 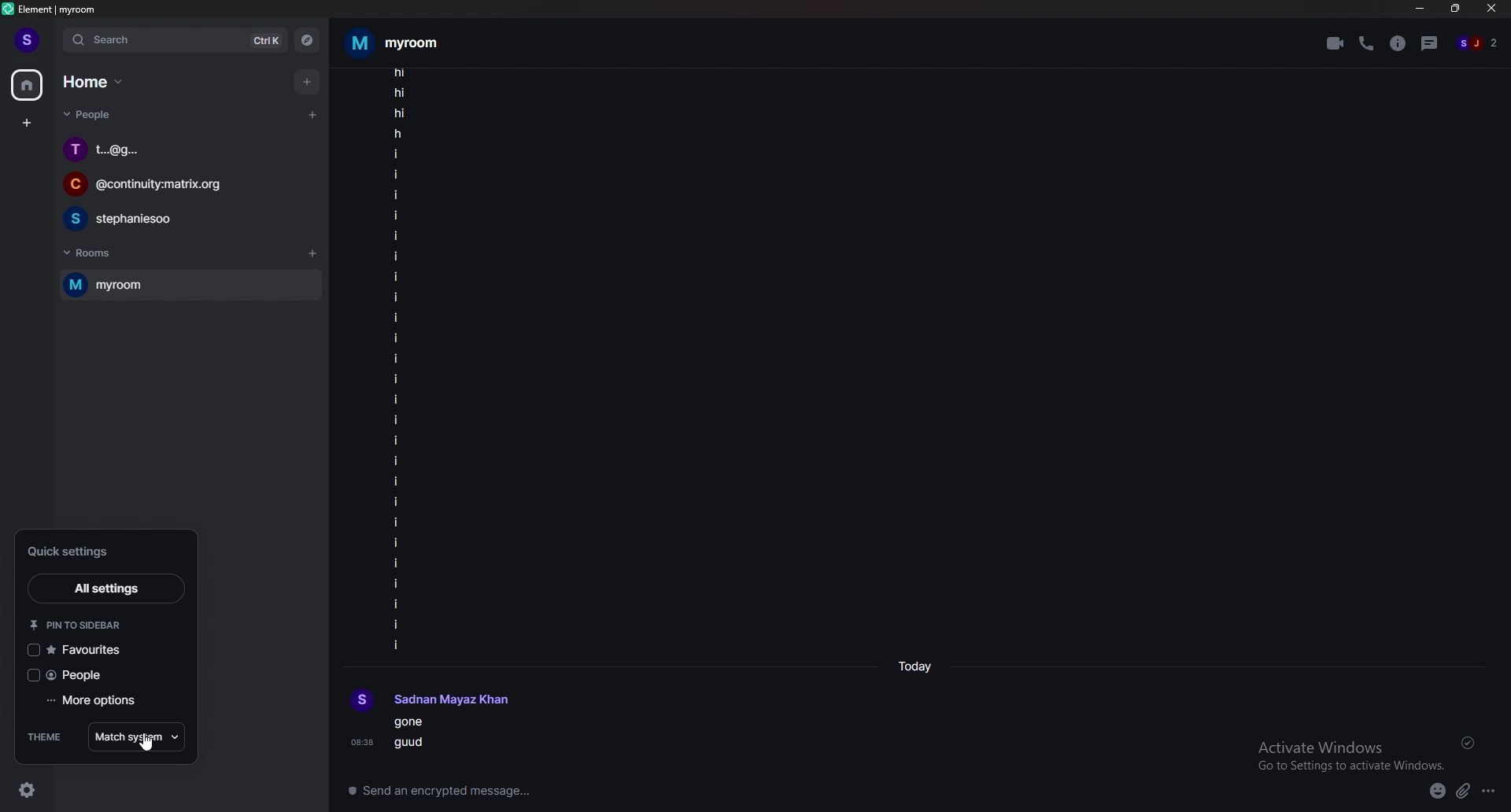 What do you see at coordinates (312, 116) in the screenshot?
I see `start chat` at bounding box center [312, 116].